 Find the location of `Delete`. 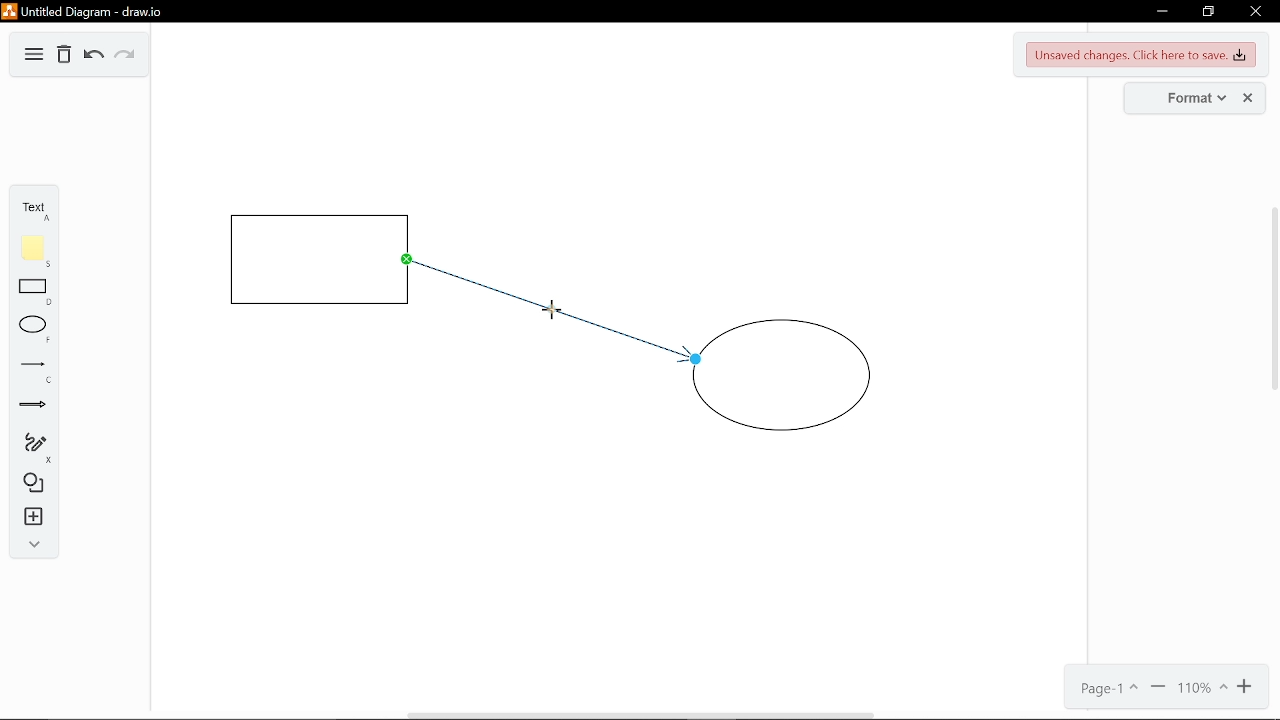

Delete is located at coordinates (65, 56).